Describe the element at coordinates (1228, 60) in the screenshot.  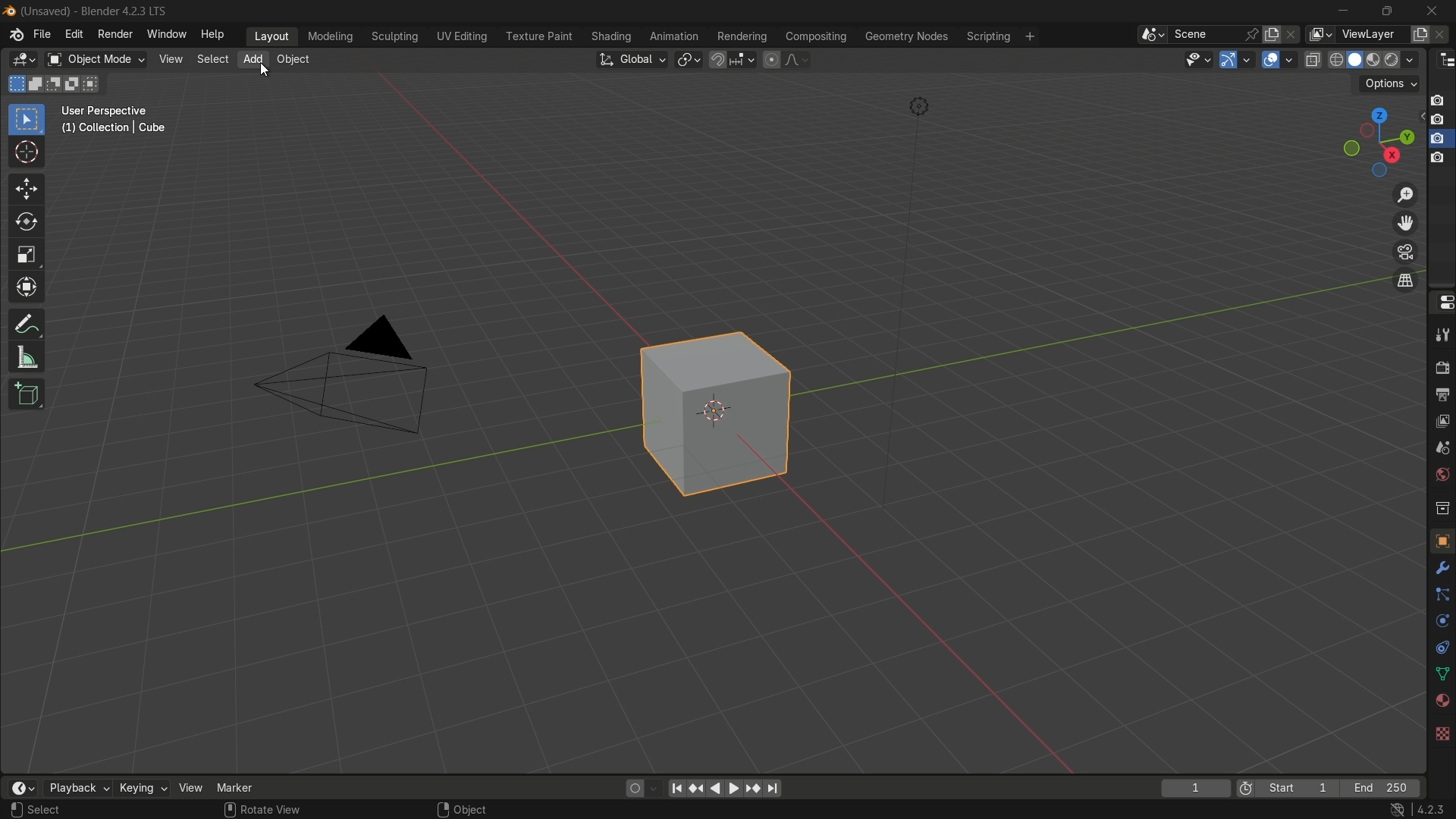
I see `show gizmo` at that location.